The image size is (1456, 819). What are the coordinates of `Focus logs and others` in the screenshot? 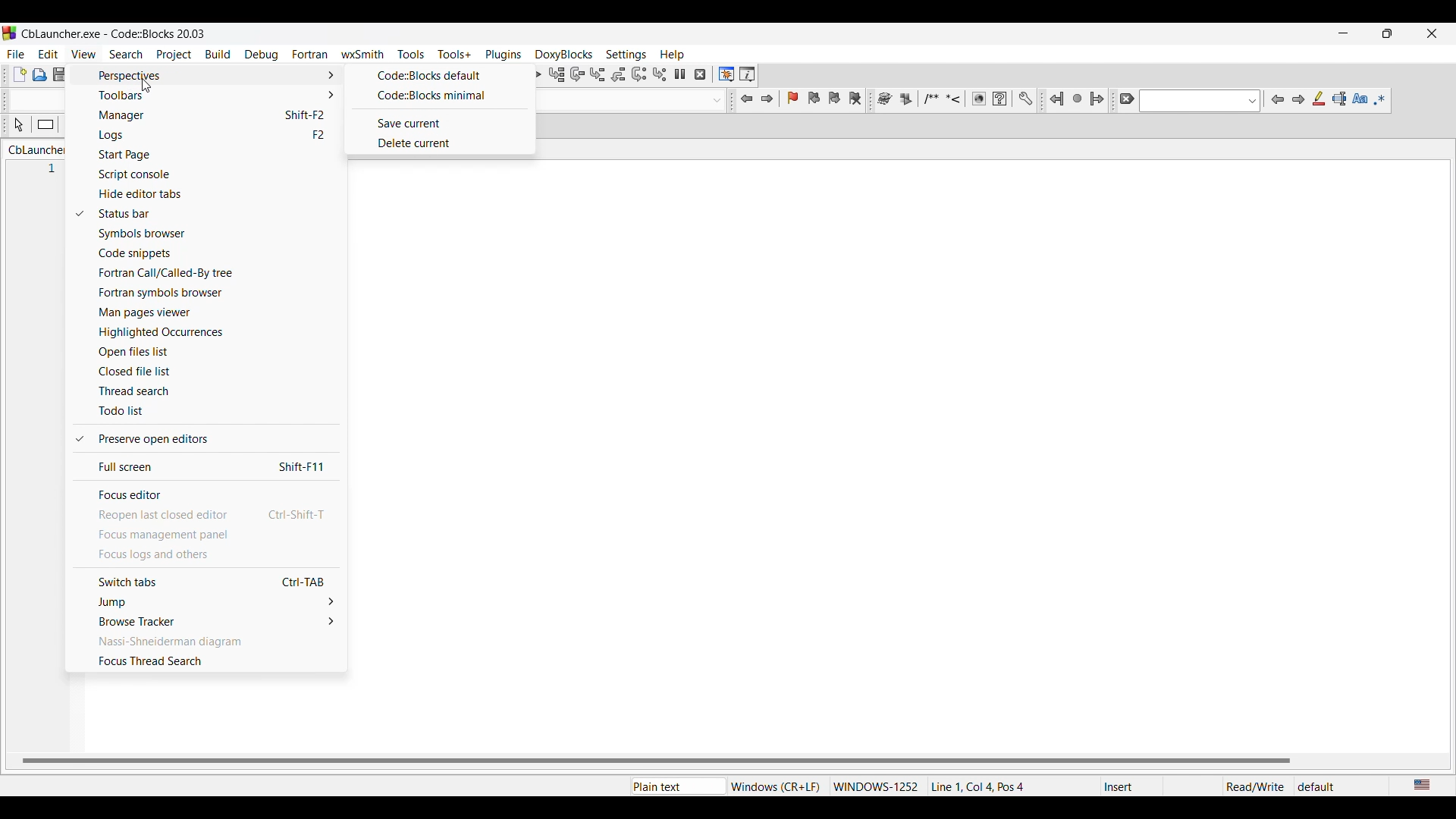 It's located at (207, 554).